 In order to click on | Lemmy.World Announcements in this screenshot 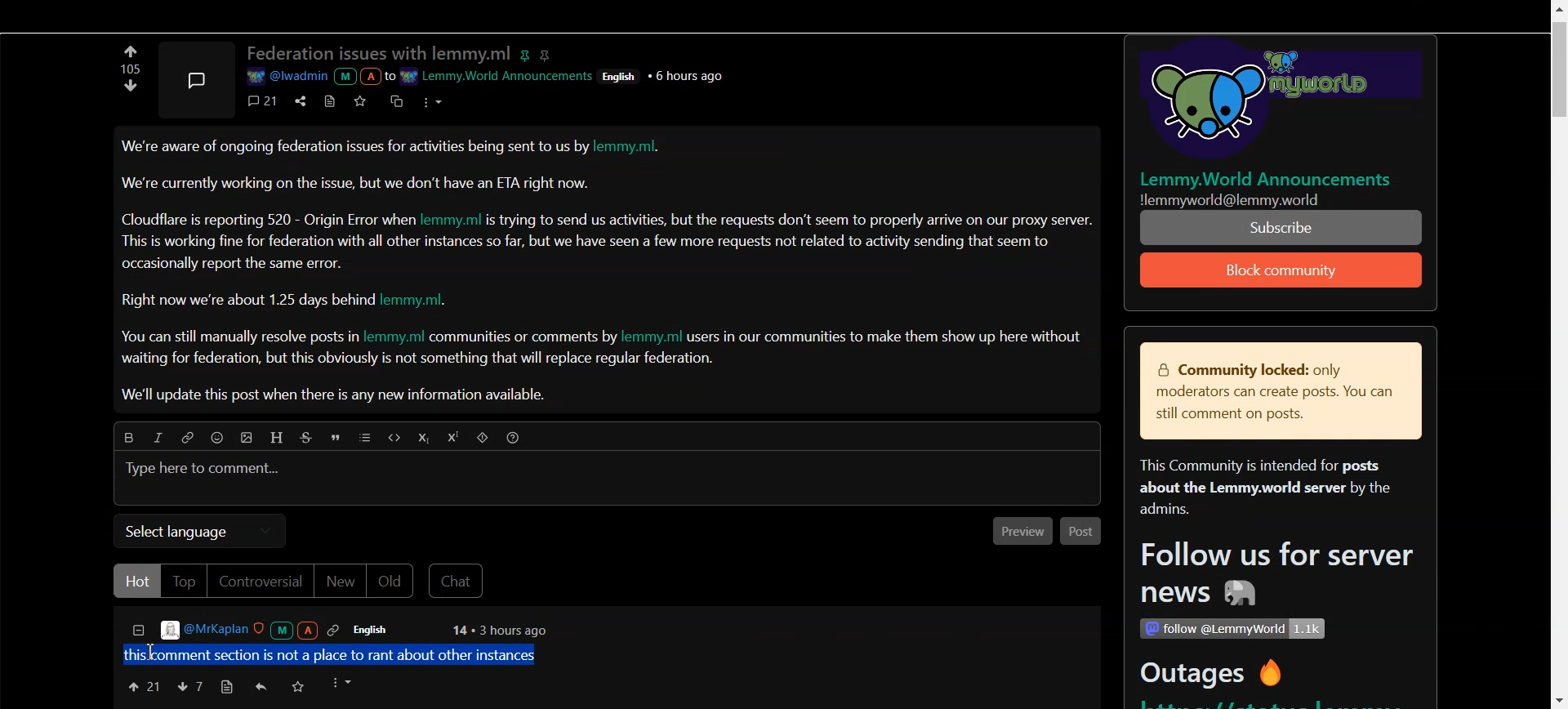, I will do `click(1273, 179)`.